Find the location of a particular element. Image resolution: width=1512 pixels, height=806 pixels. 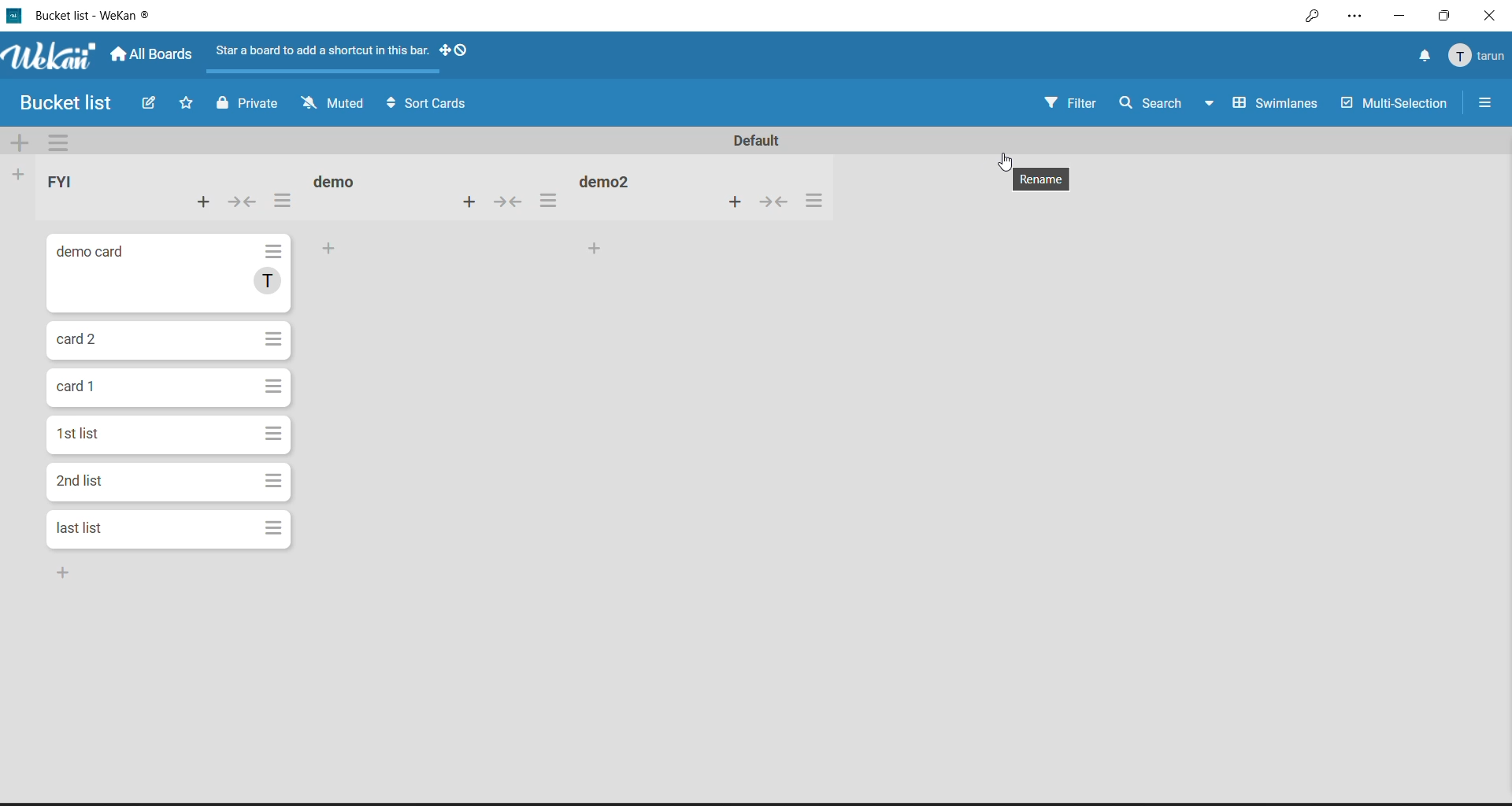

board view is located at coordinates (1262, 105).